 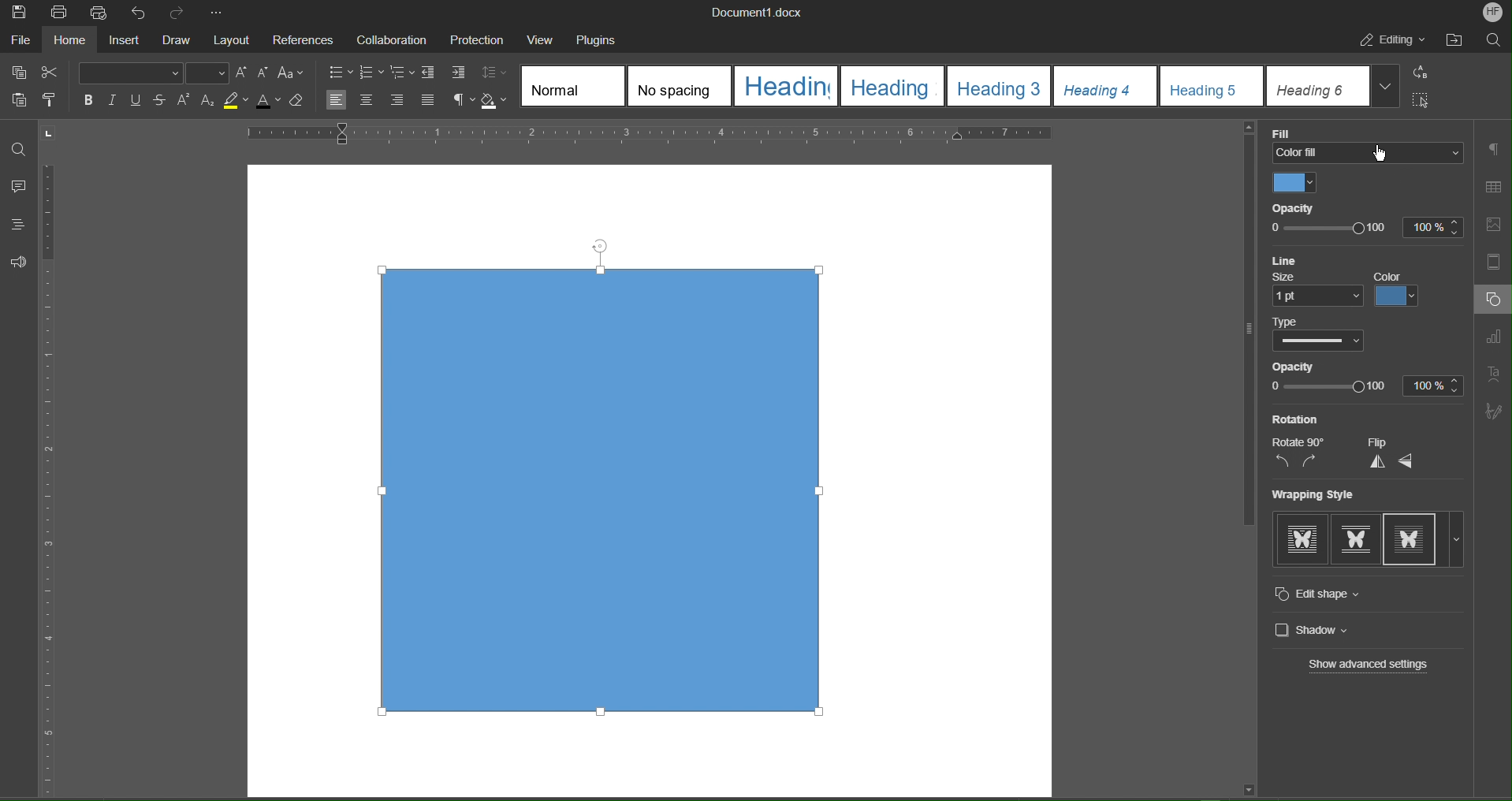 What do you see at coordinates (1387, 87) in the screenshot?
I see `More Headings` at bounding box center [1387, 87].